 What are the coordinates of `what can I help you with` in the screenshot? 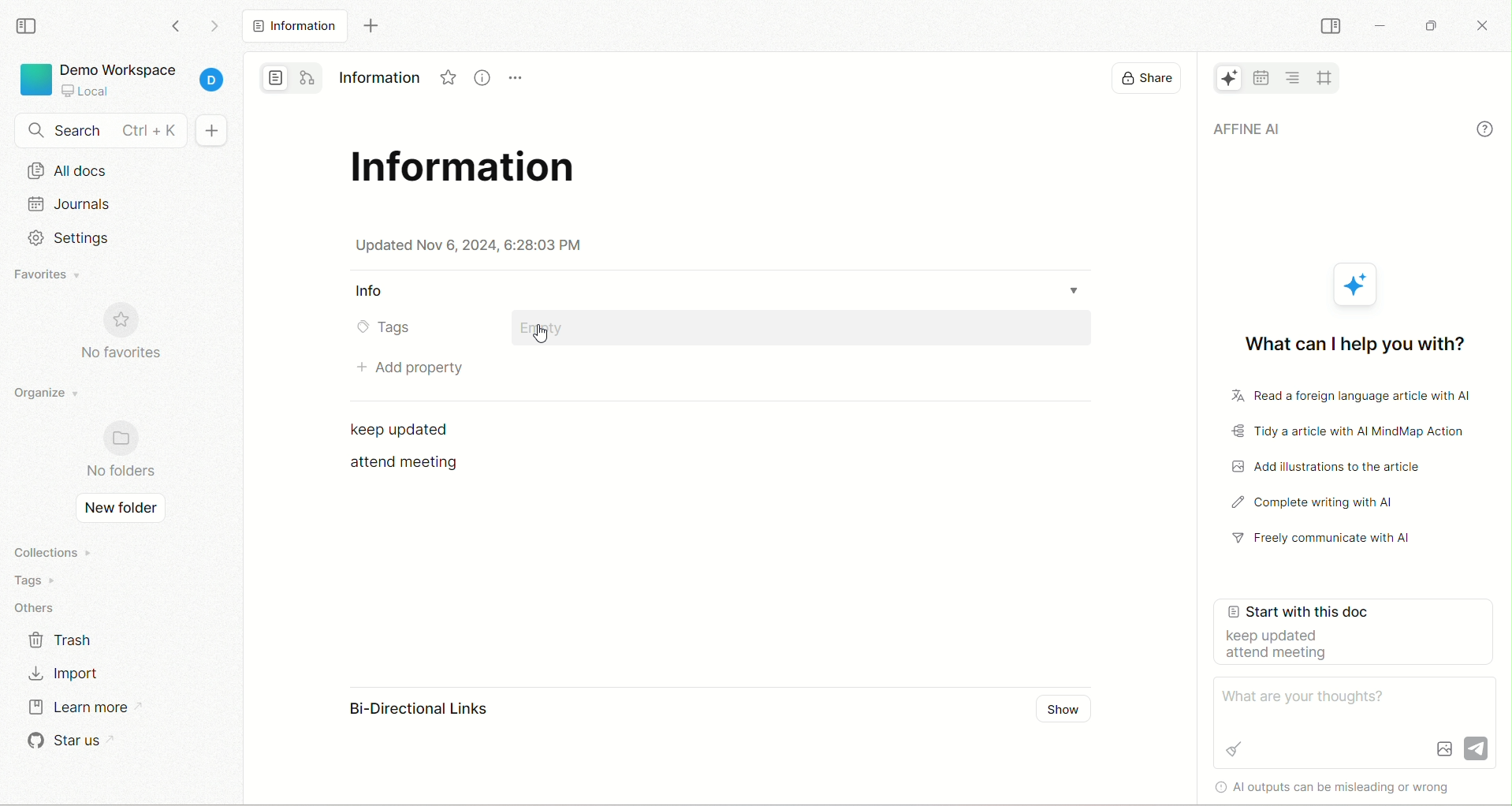 It's located at (1351, 340).